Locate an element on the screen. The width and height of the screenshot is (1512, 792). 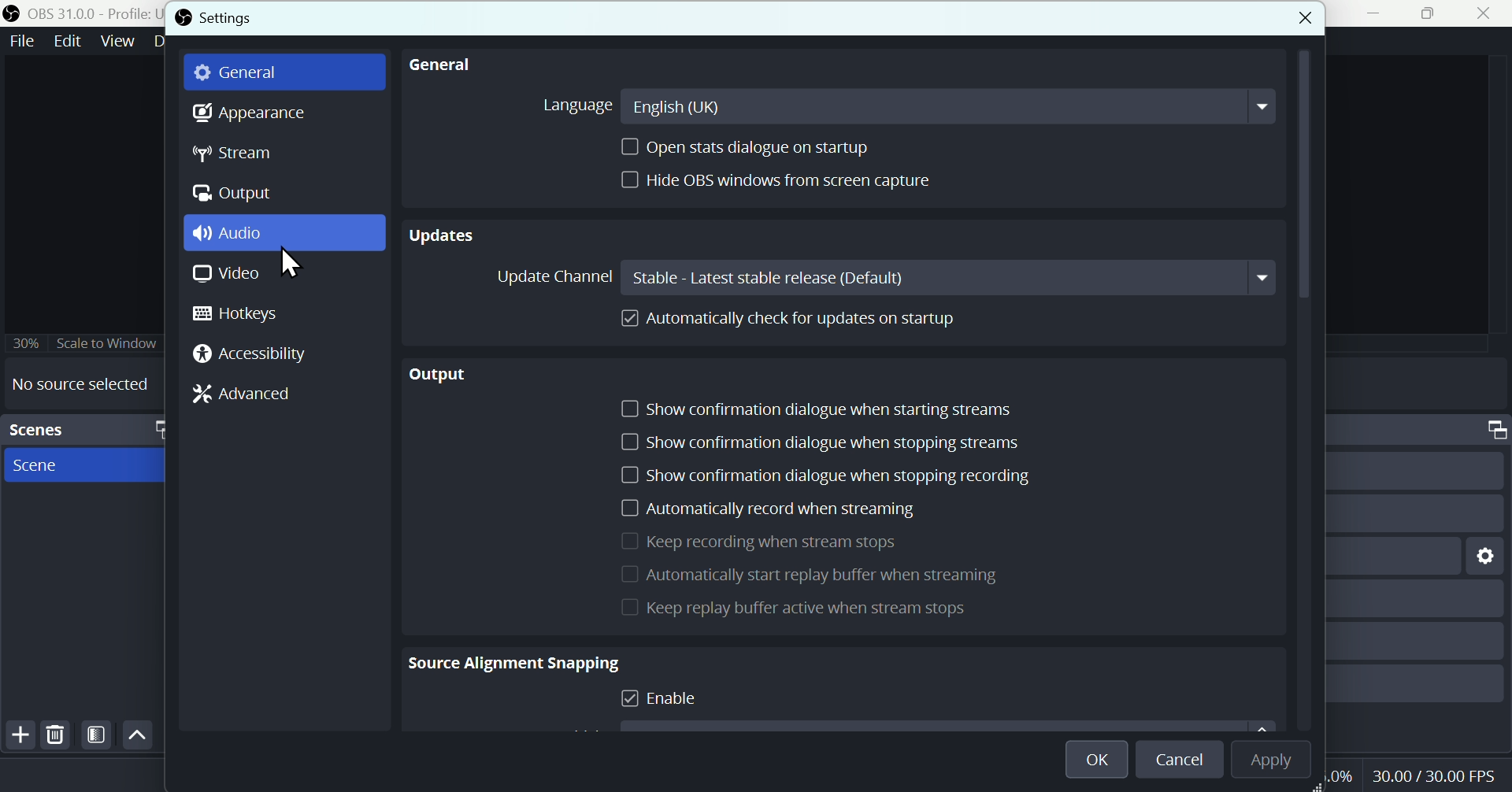
Advanced is located at coordinates (242, 402).